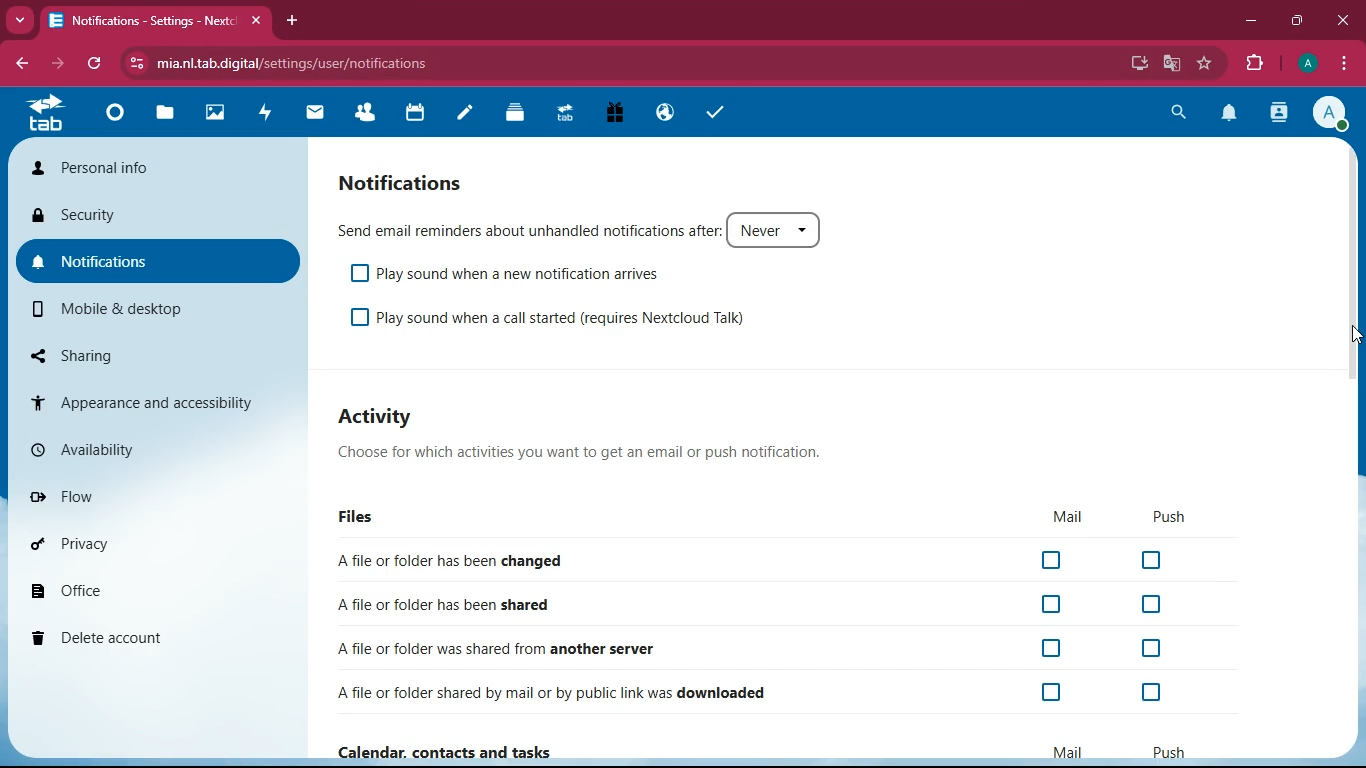  Describe the element at coordinates (1226, 114) in the screenshot. I see `notifications` at that location.